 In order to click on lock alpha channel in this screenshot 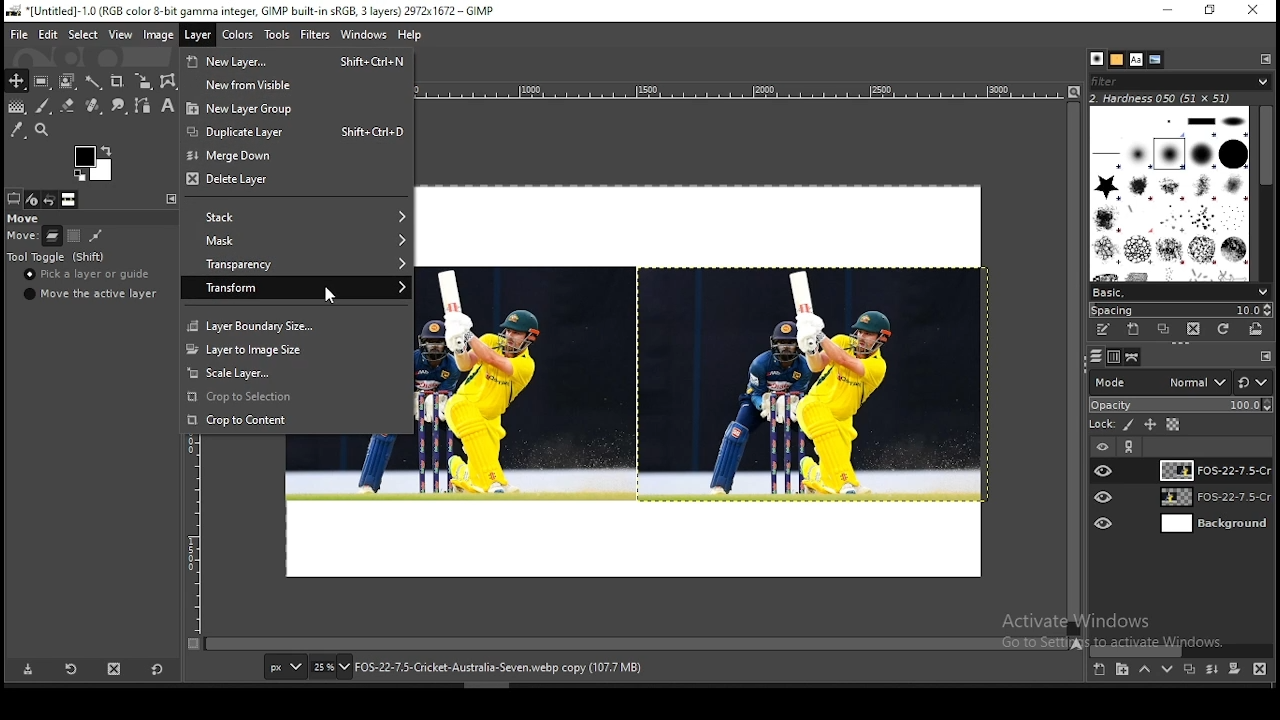, I will do `click(1172, 425)`.